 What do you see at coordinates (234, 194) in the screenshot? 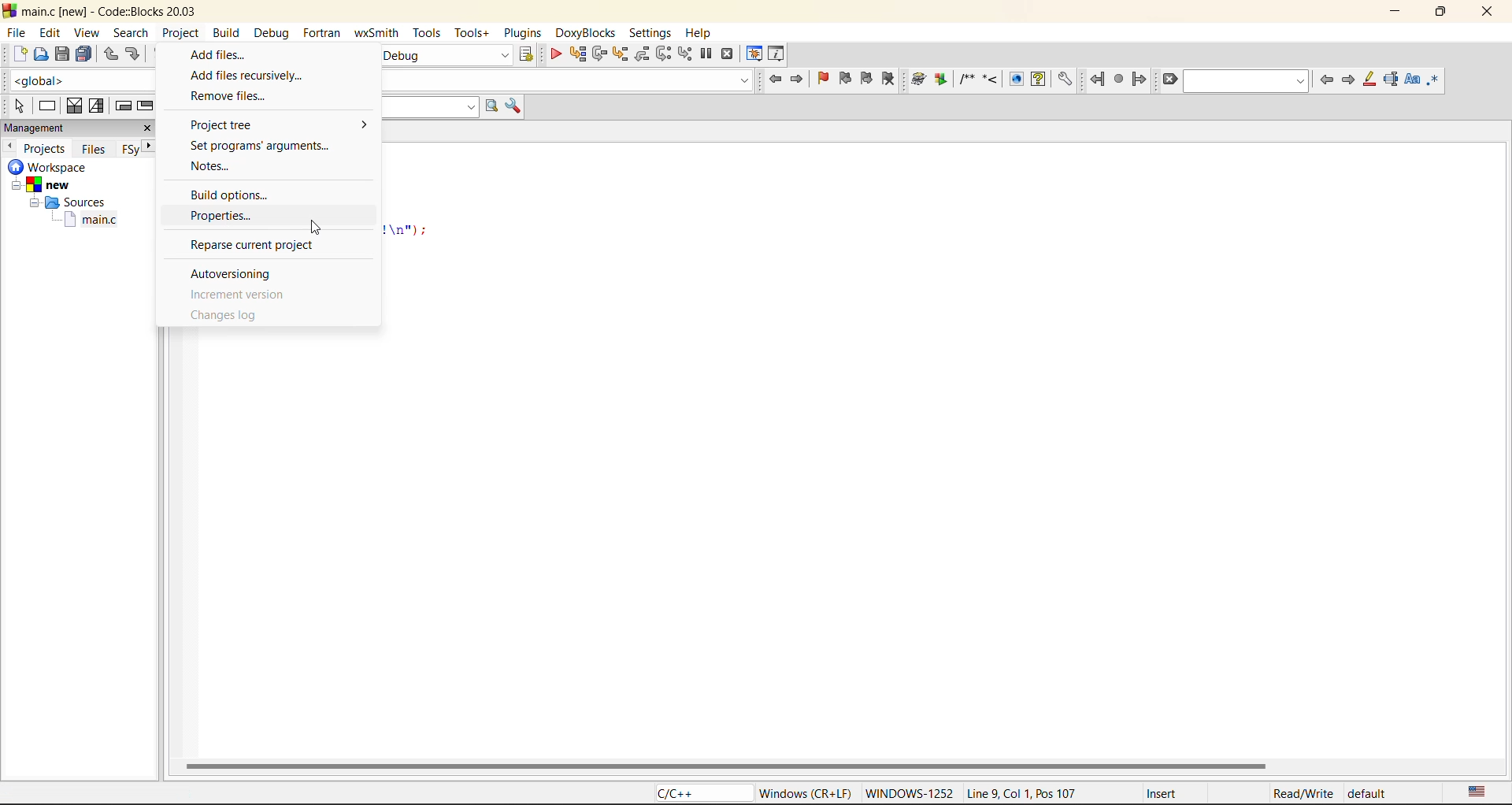
I see `build options` at bounding box center [234, 194].